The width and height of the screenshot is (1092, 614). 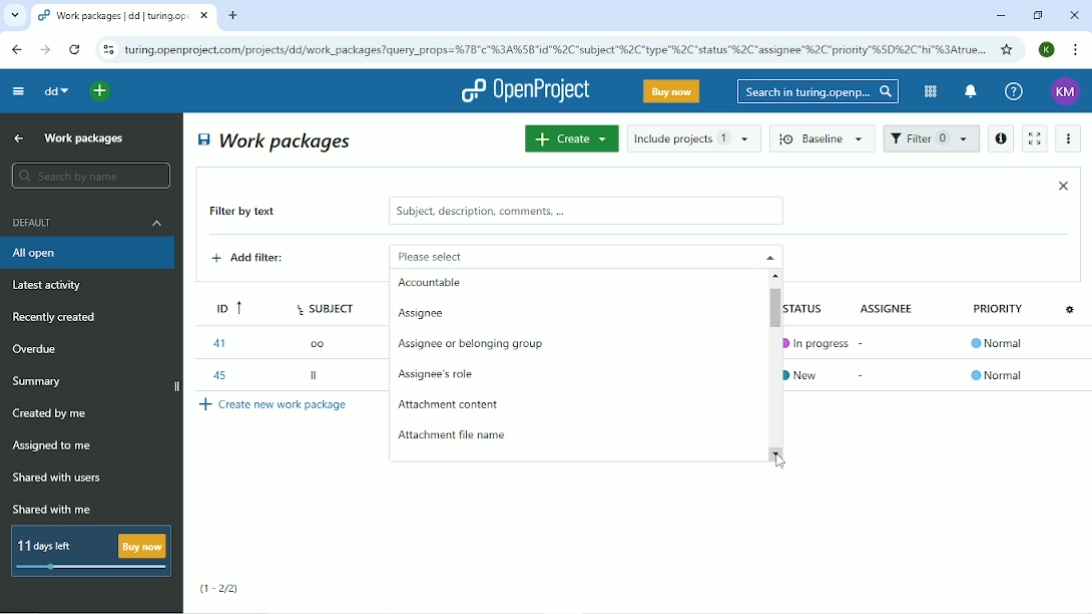 I want to click on Customize and control google chrome, so click(x=1077, y=50).